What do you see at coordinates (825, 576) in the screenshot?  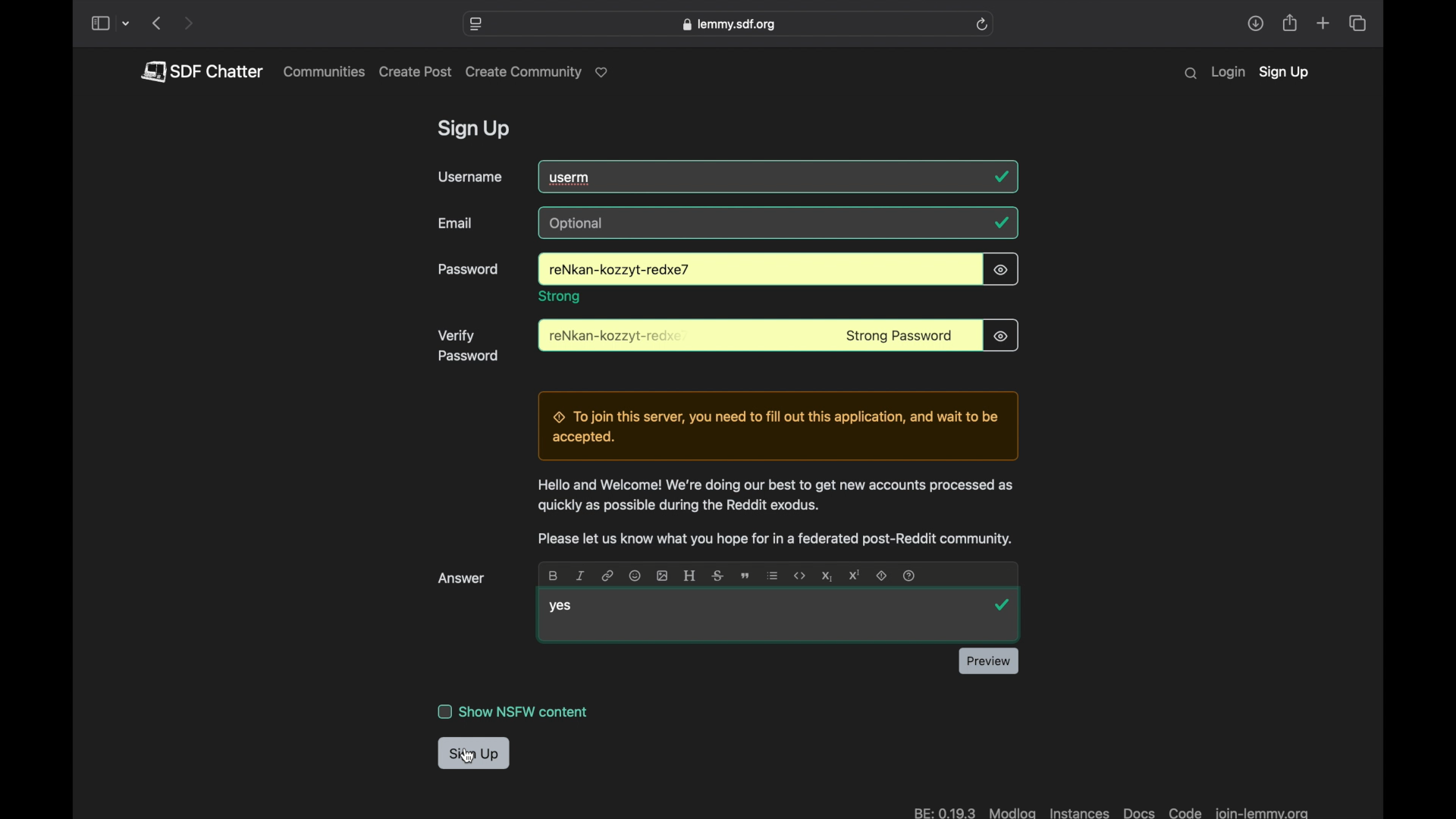 I see `subscript` at bounding box center [825, 576].